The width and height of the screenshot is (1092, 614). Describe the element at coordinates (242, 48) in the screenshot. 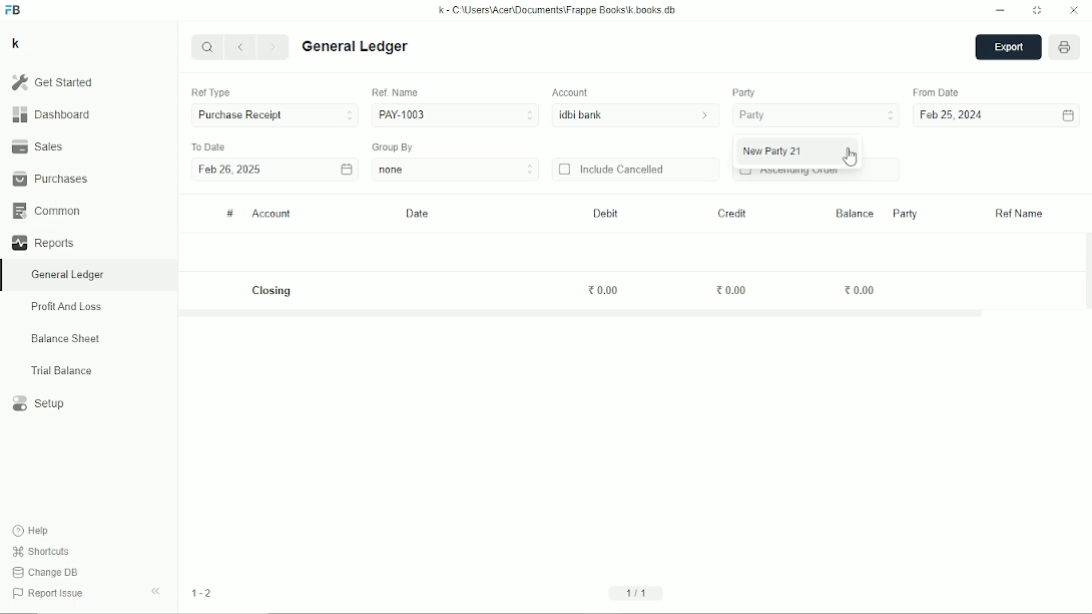

I see `Previous` at that location.